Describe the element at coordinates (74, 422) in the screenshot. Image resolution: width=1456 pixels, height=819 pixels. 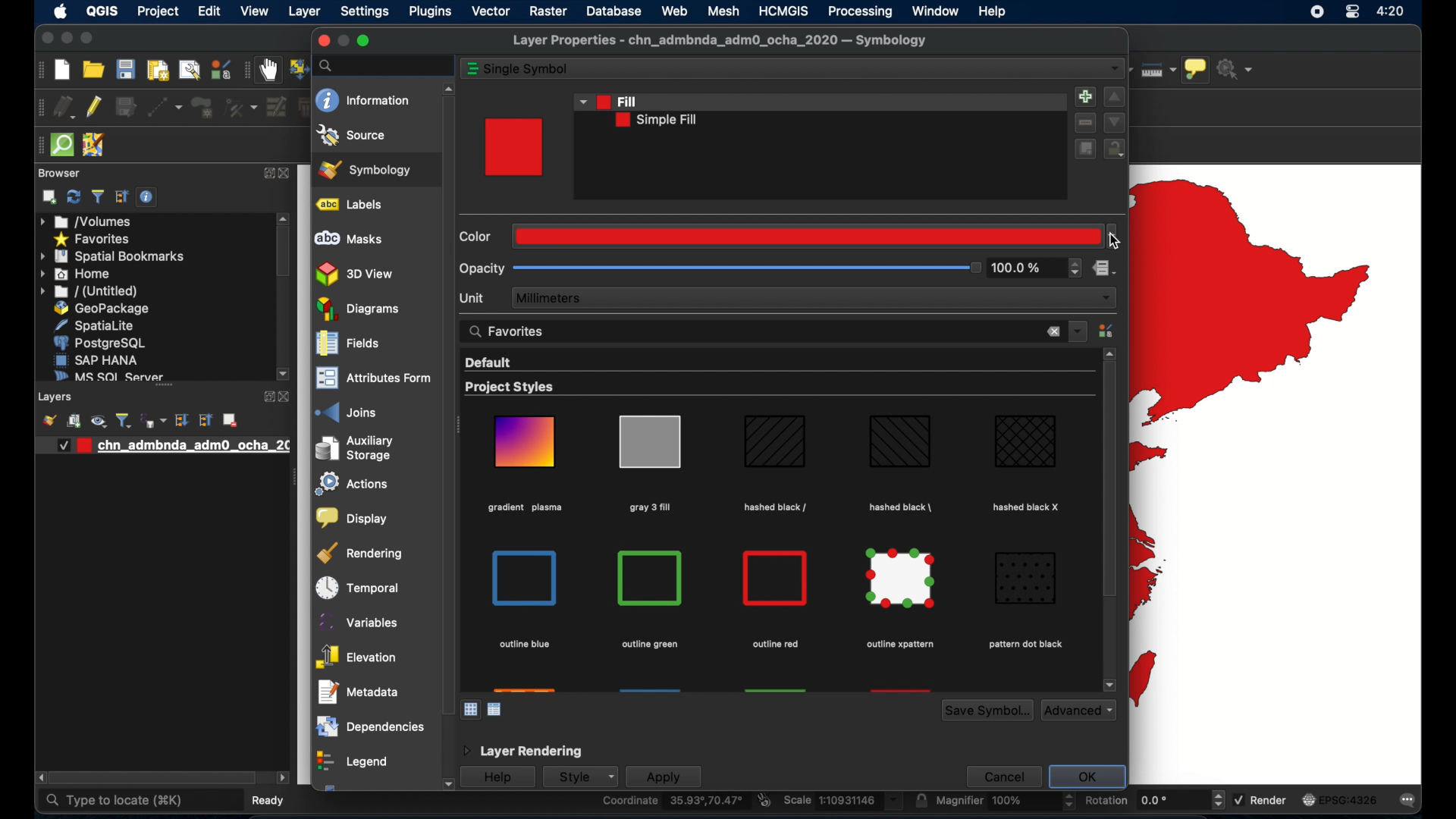
I see `add group` at that location.